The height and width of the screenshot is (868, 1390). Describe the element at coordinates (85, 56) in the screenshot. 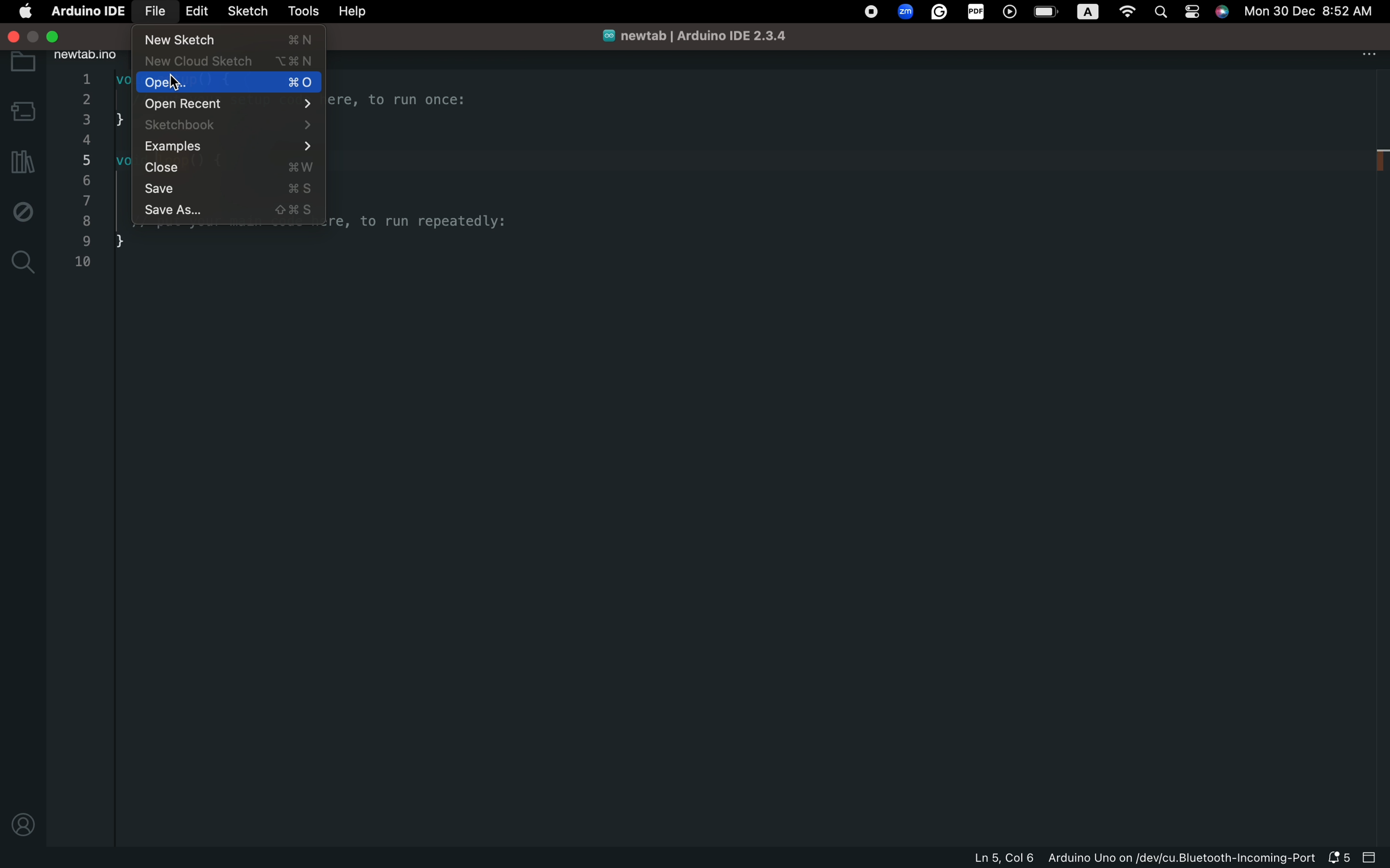

I see `new tab` at that location.